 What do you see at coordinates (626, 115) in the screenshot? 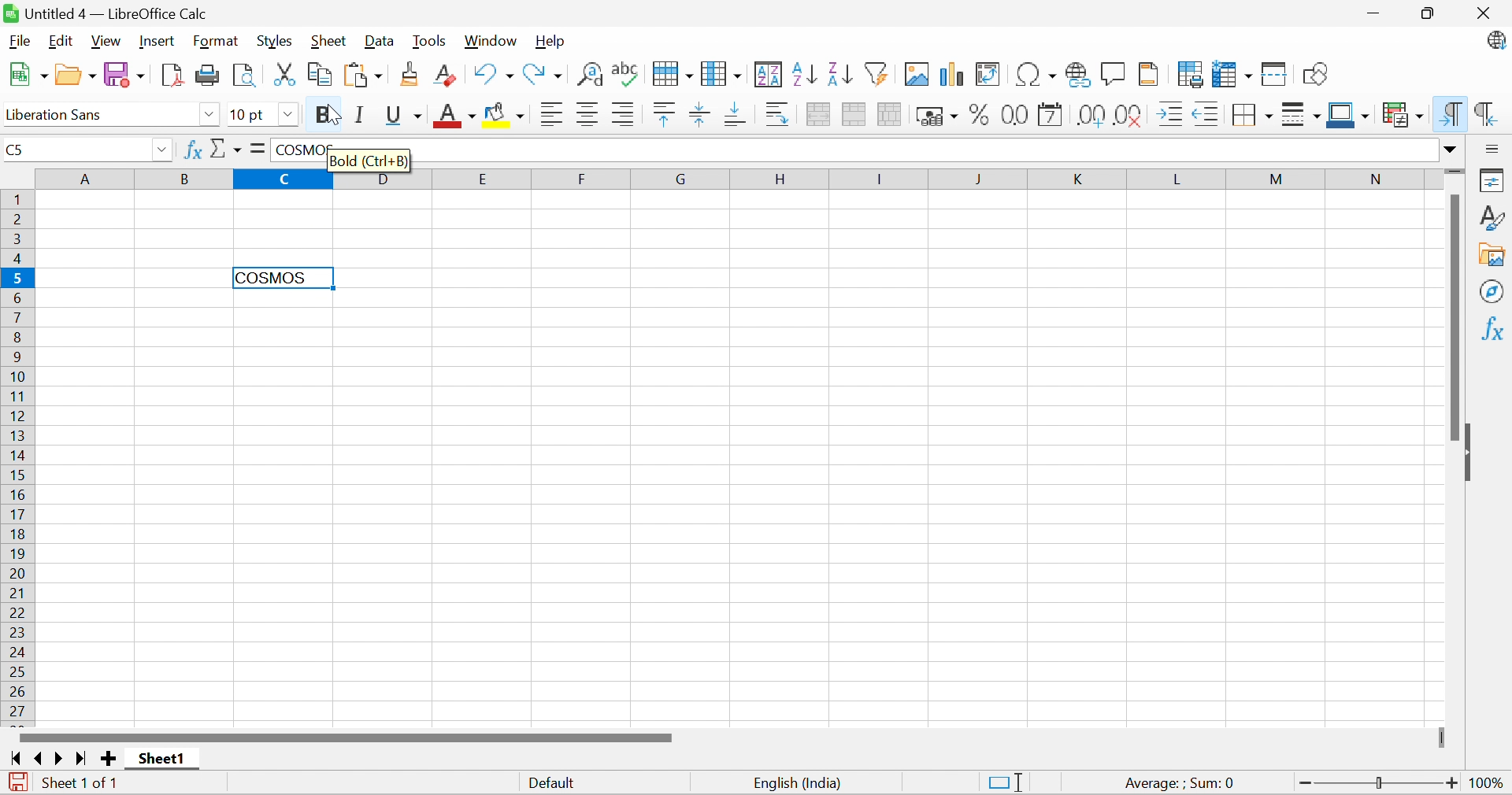
I see `Align Right` at bounding box center [626, 115].